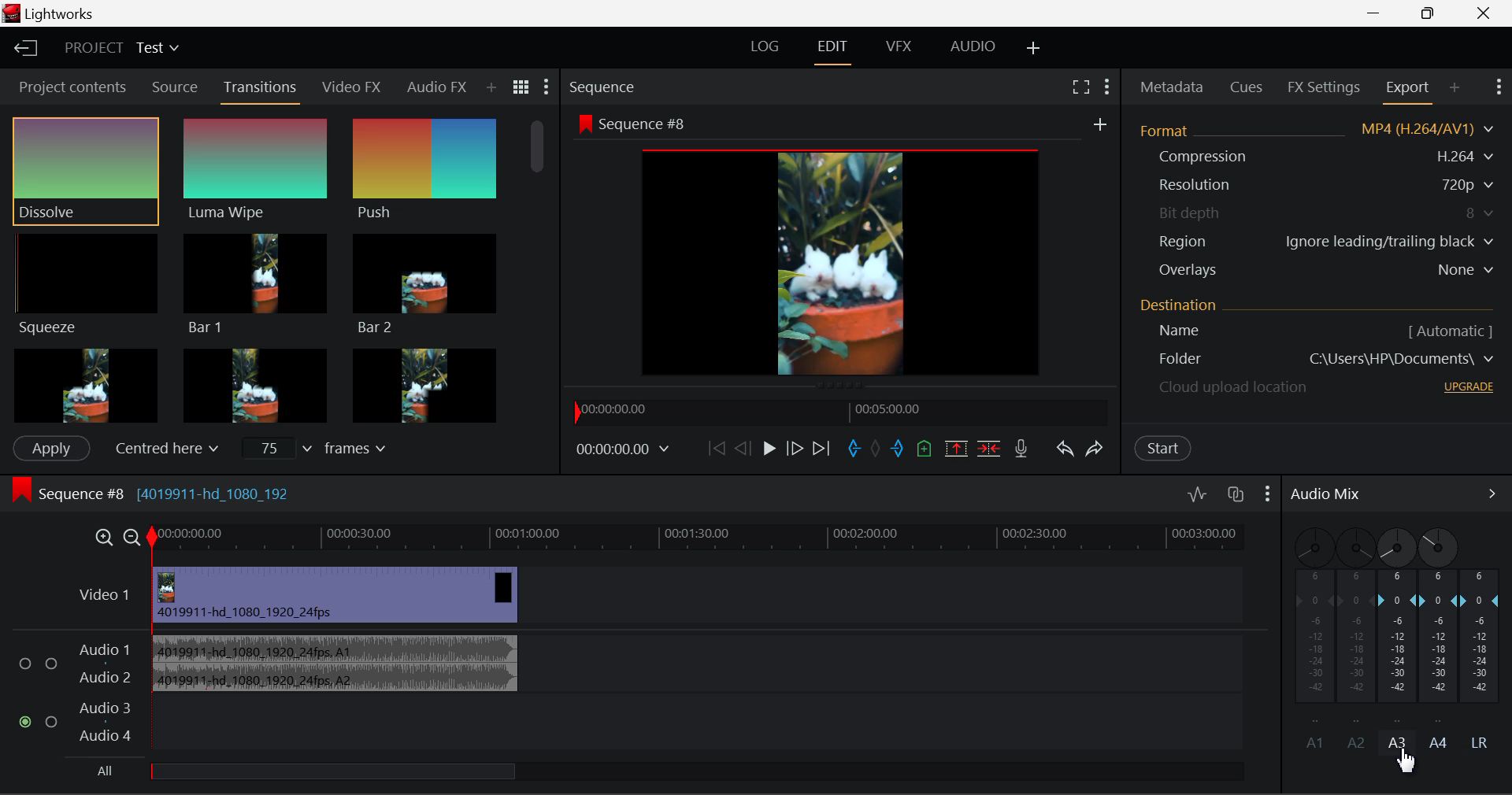 This screenshot has width=1512, height=795. I want to click on Resolution, so click(1314, 183).